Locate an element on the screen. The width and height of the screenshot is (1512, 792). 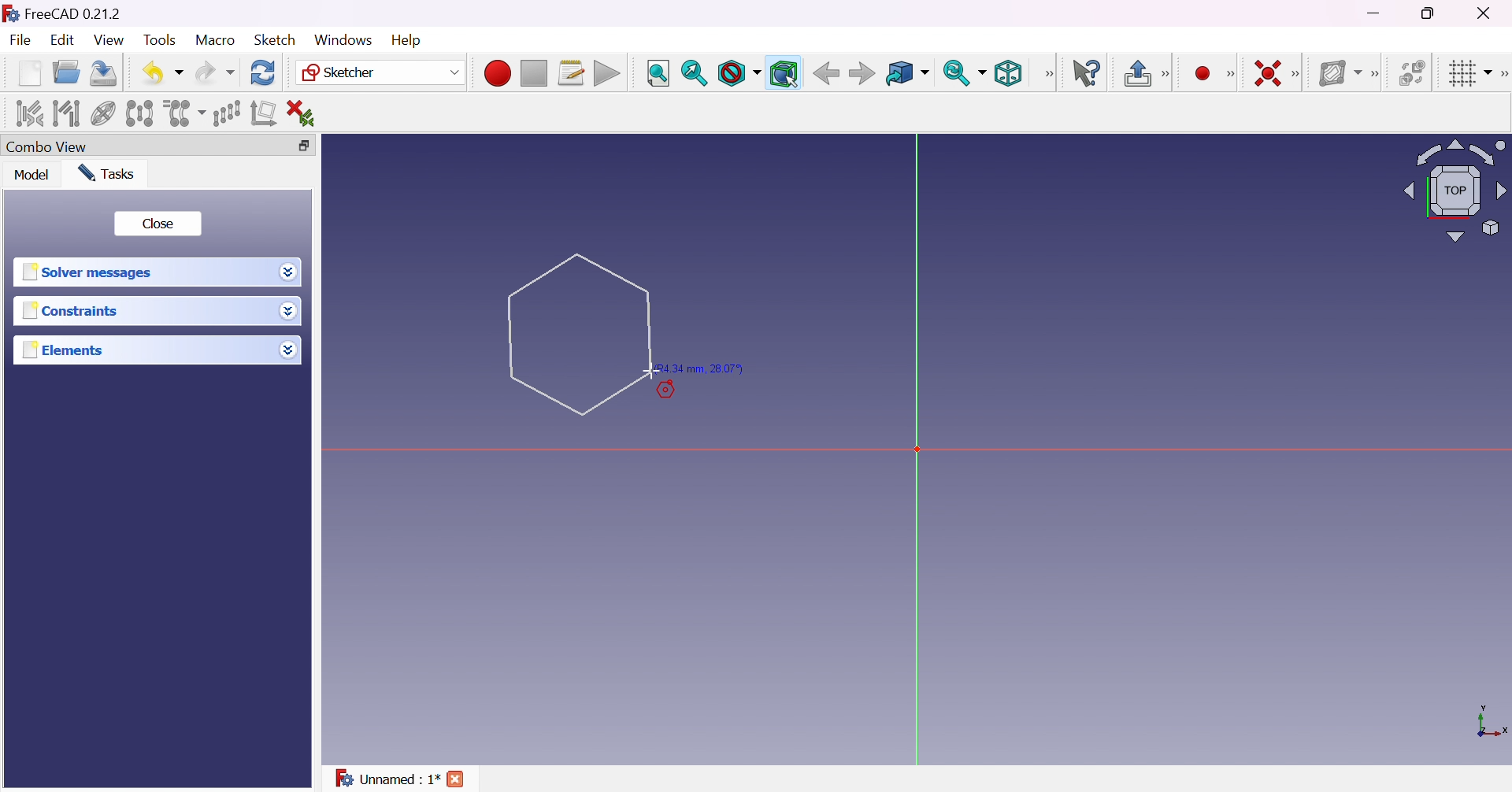
Delete all constraints is located at coordinates (306, 114).